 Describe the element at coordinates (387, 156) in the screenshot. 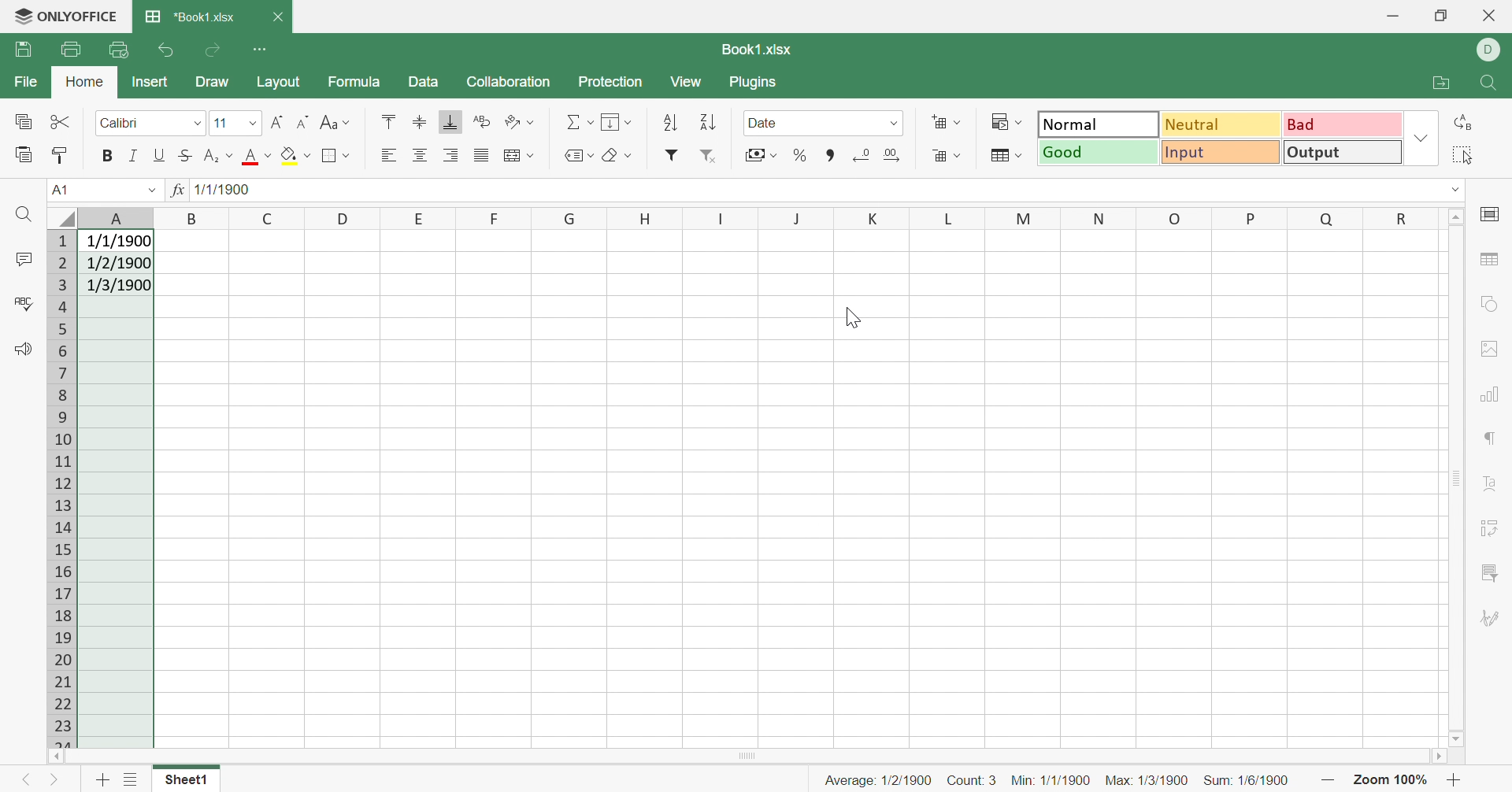

I see `Align left` at that location.